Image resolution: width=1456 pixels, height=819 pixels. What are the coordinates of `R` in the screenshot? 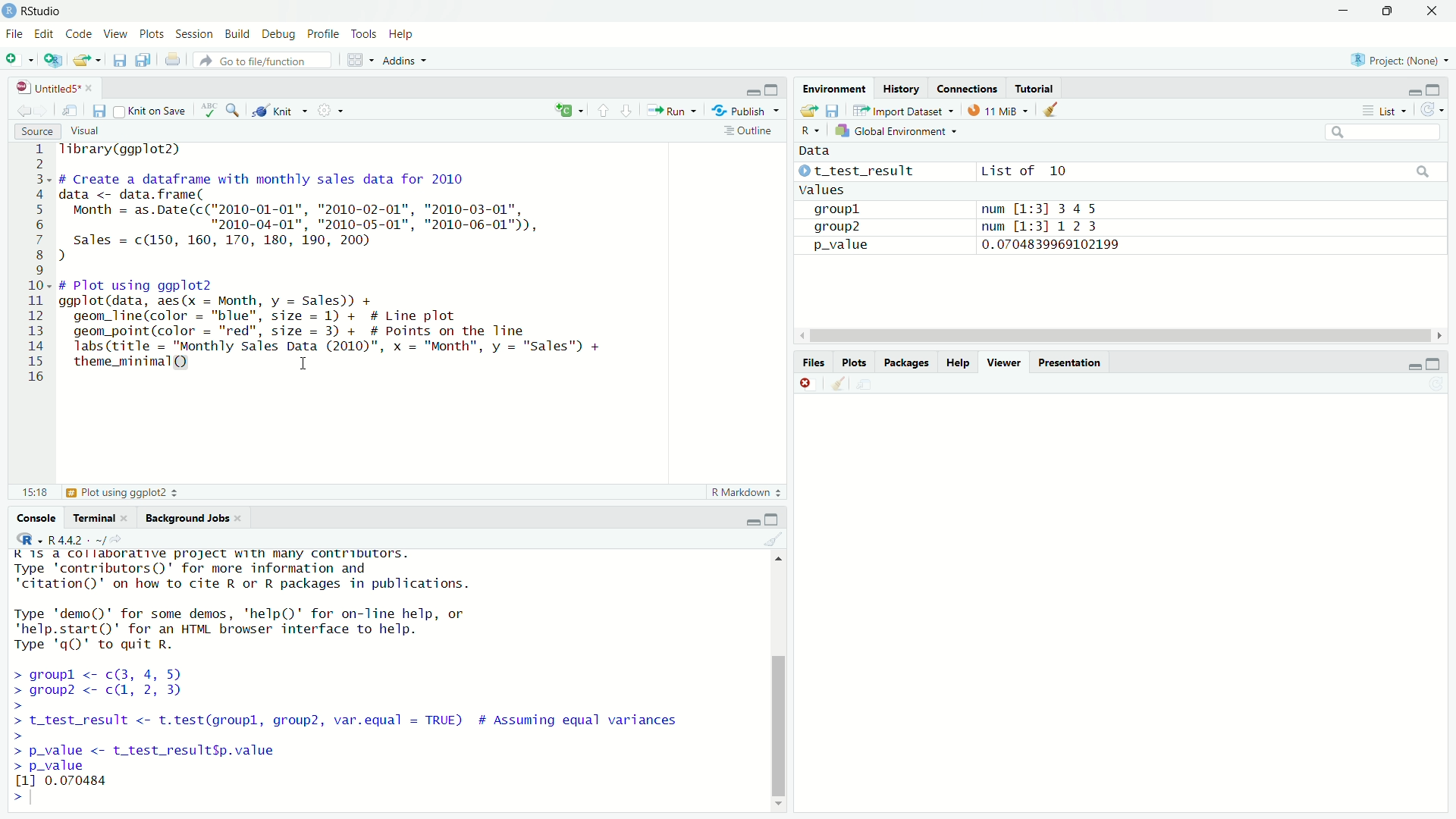 It's located at (805, 129).